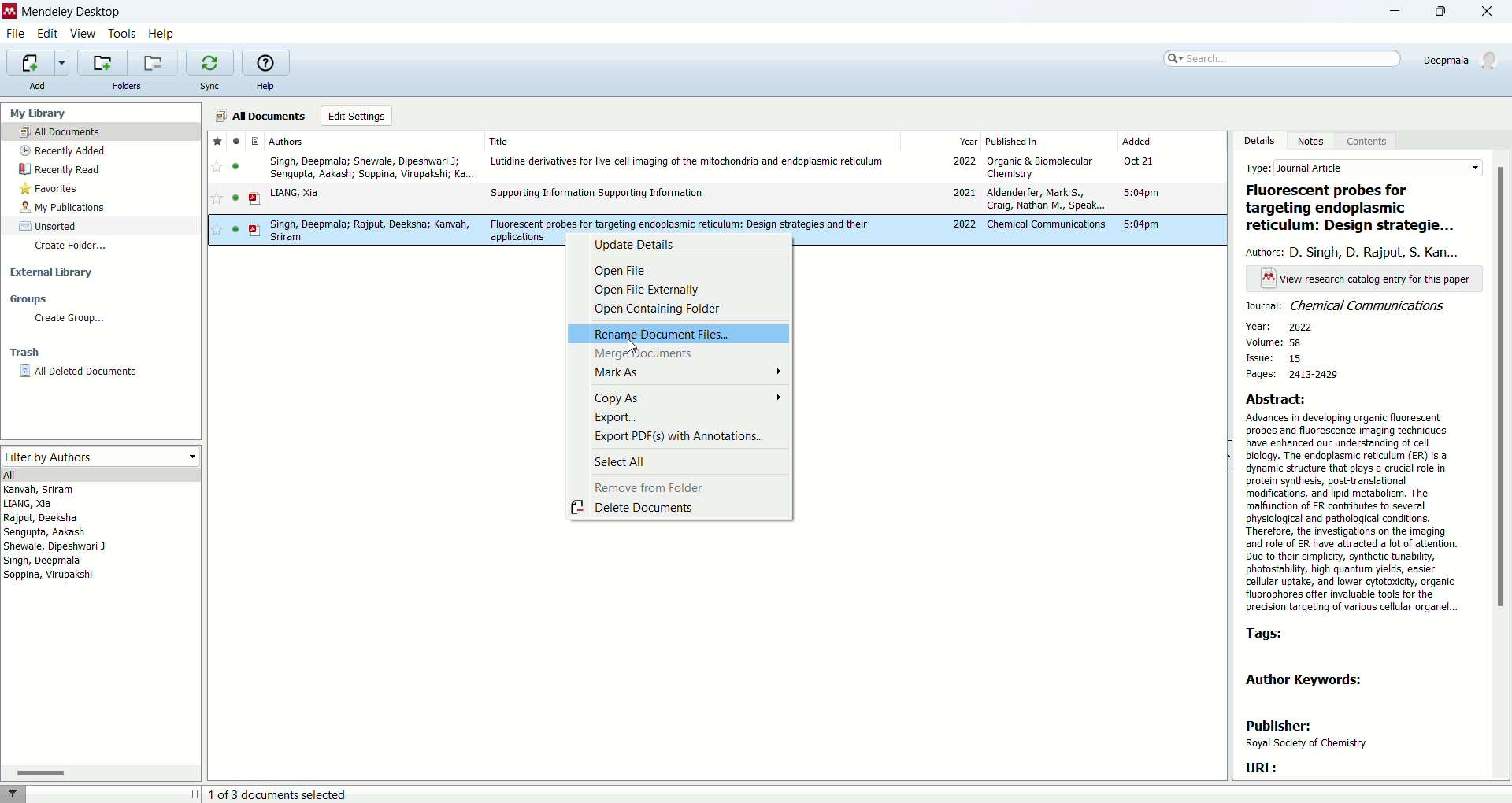 The width and height of the screenshot is (1512, 803). I want to click on import, so click(38, 62).